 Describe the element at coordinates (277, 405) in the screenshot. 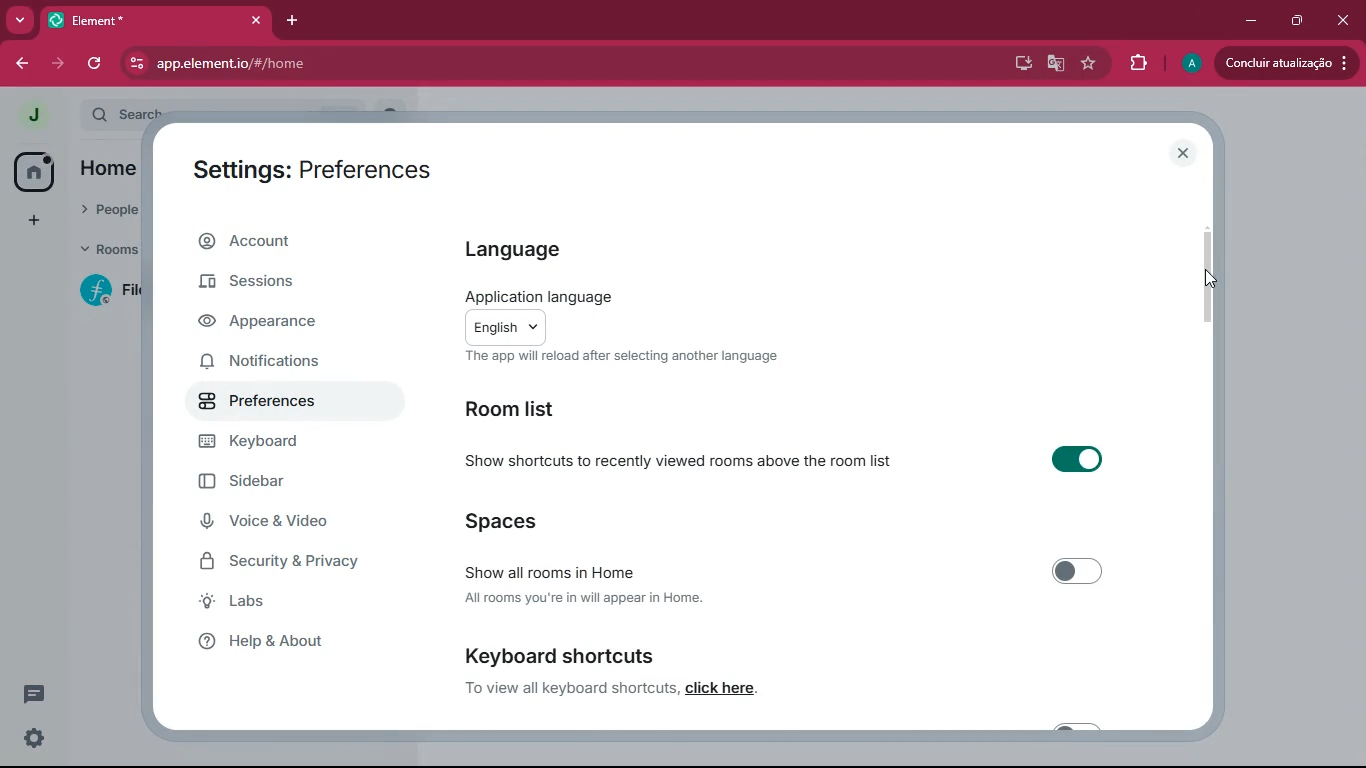

I see `preferences` at that location.